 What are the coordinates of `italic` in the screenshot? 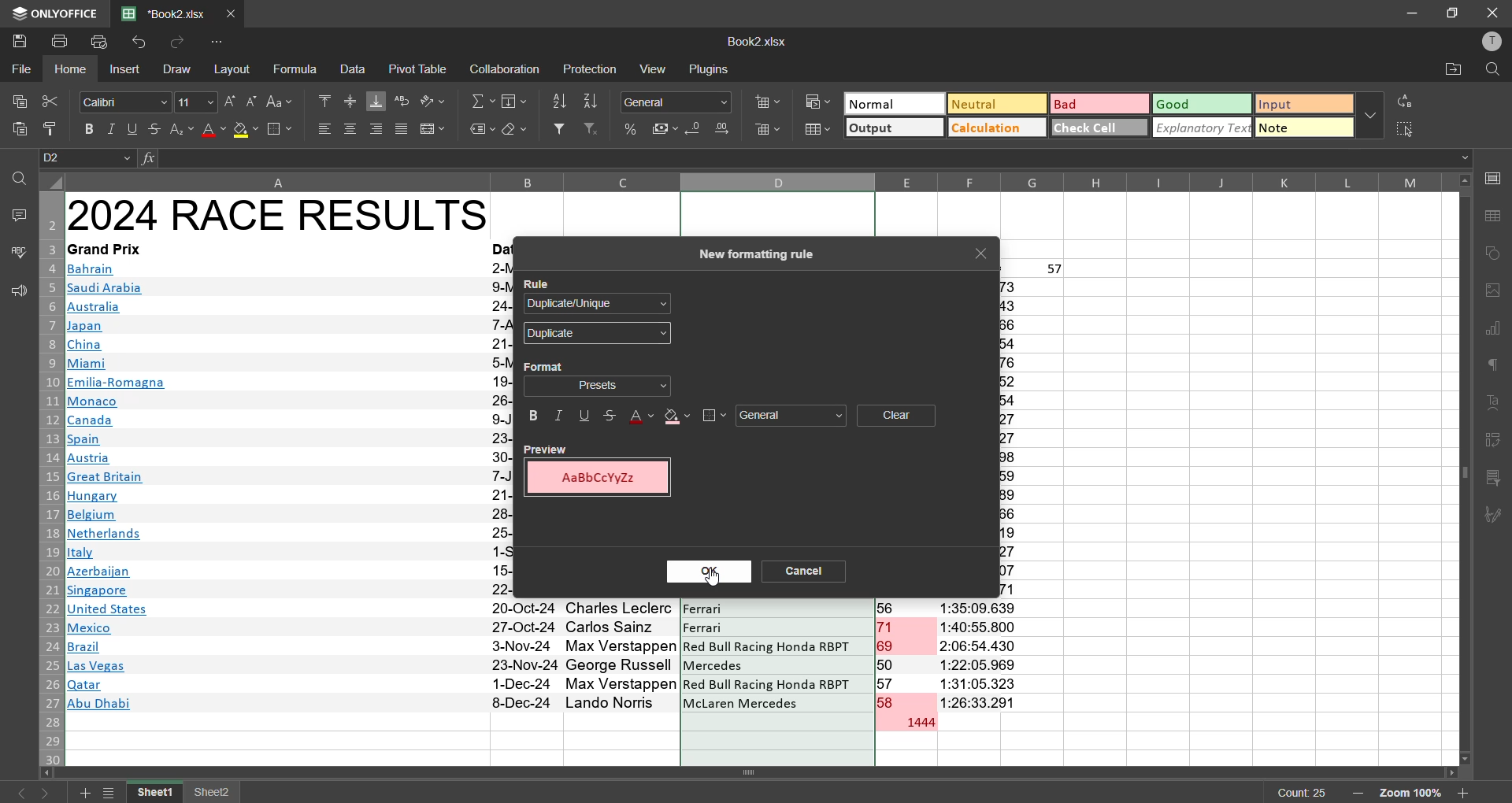 It's located at (113, 129).